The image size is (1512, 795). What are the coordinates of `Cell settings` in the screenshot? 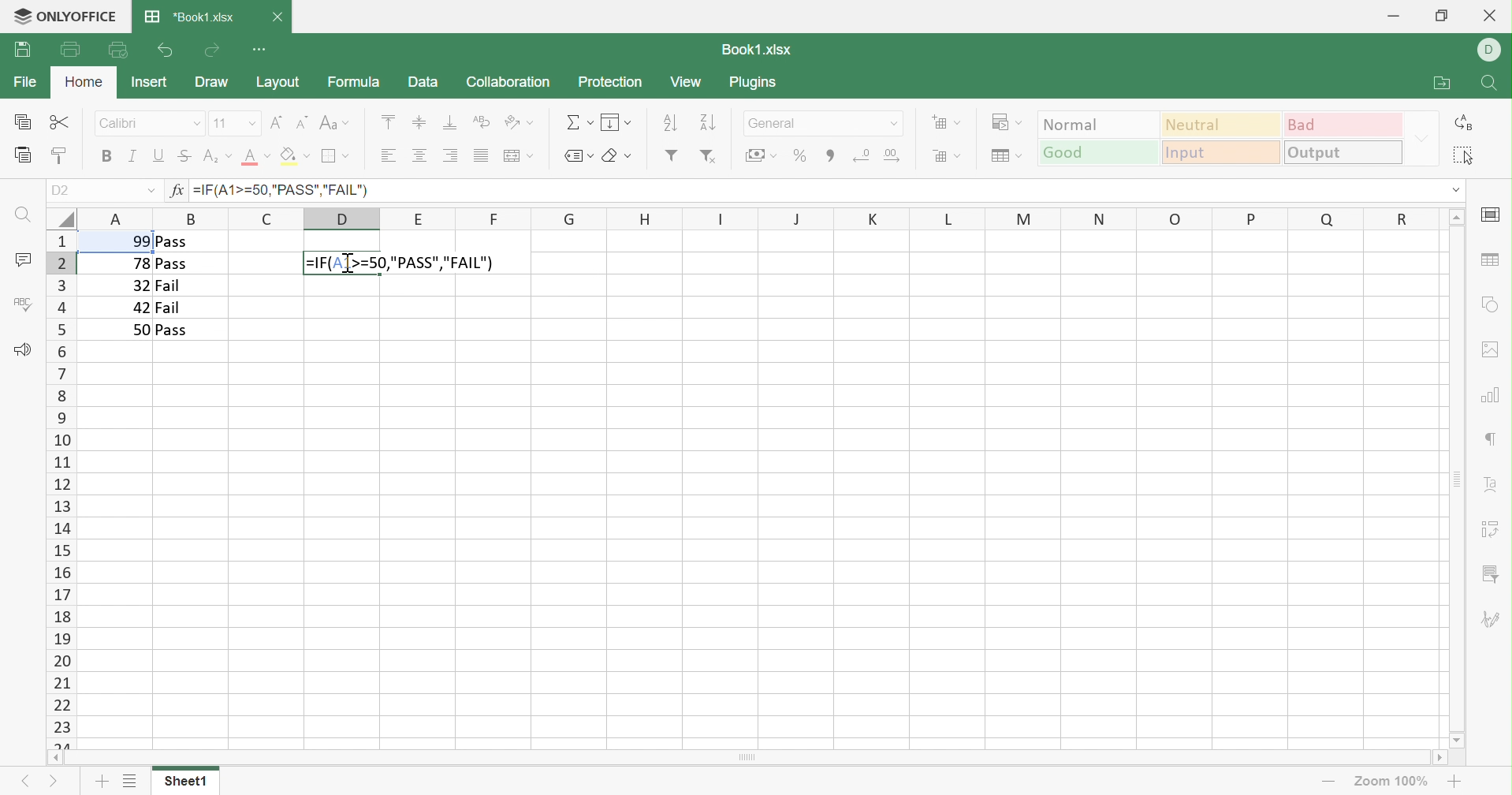 It's located at (1489, 215).